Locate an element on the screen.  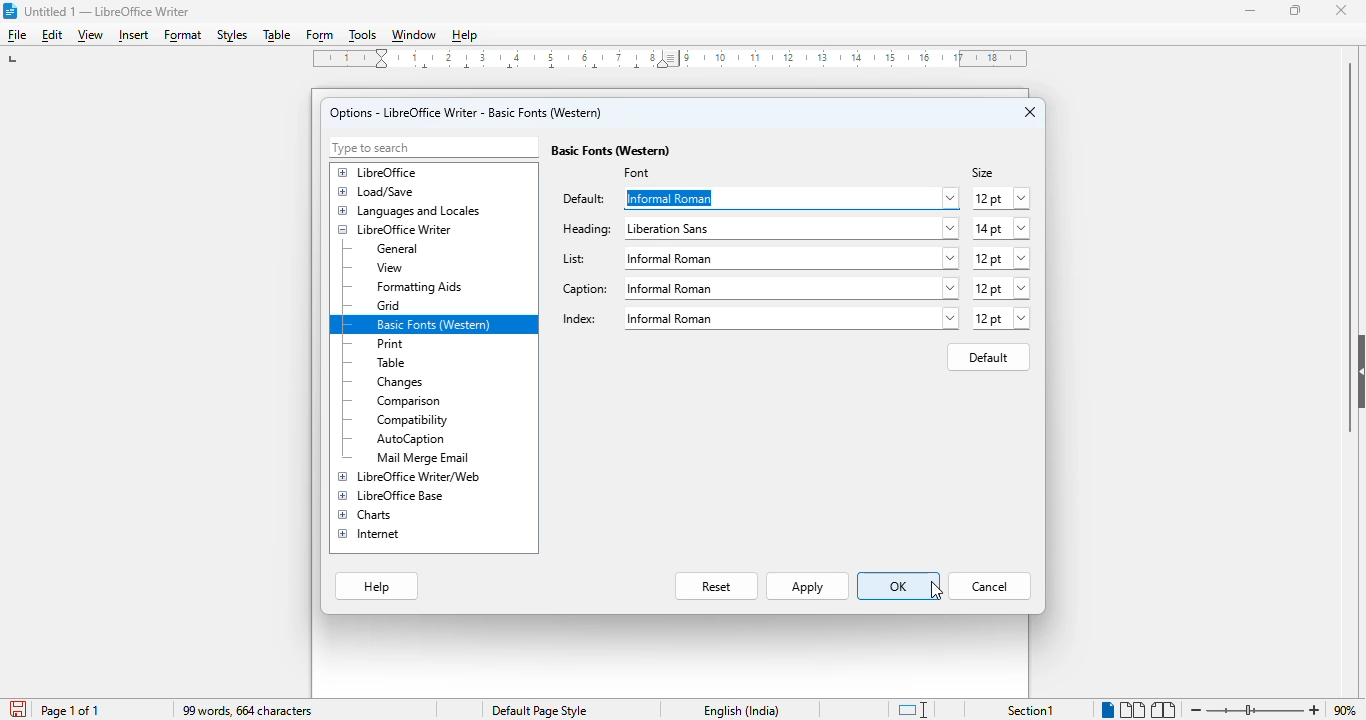
internet is located at coordinates (368, 533).